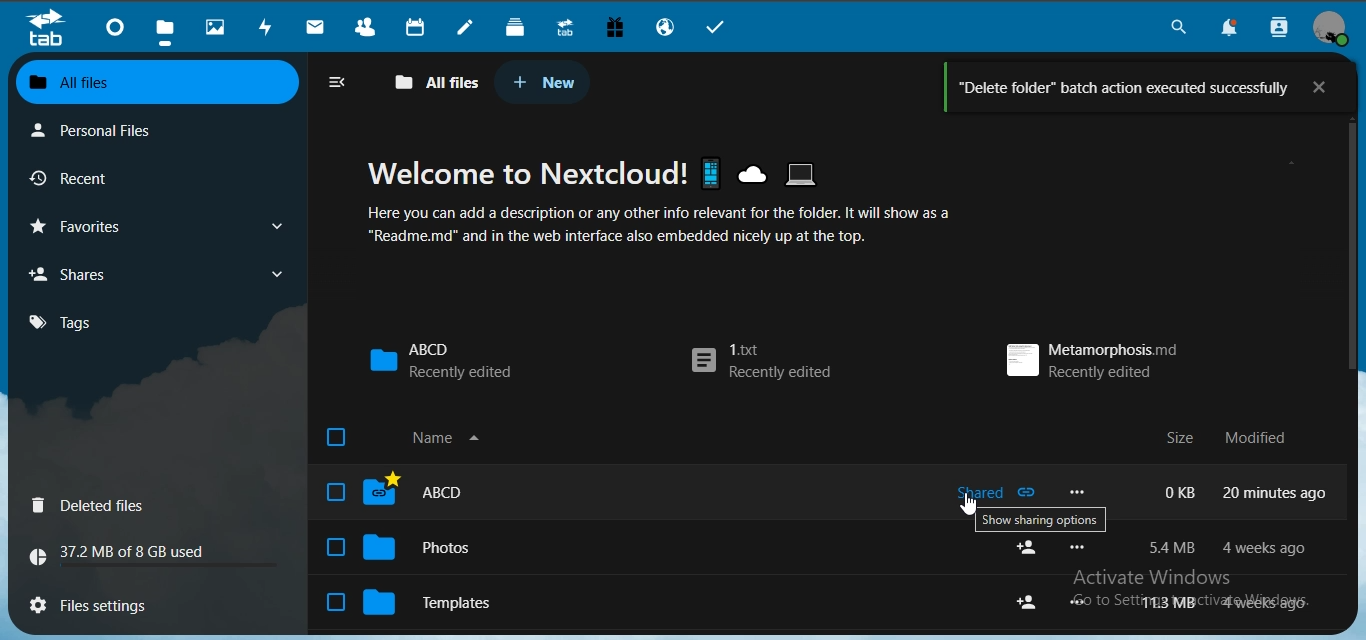 The image size is (1366, 640). Describe the element at coordinates (519, 27) in the screenshot. I see `deck` at that location.